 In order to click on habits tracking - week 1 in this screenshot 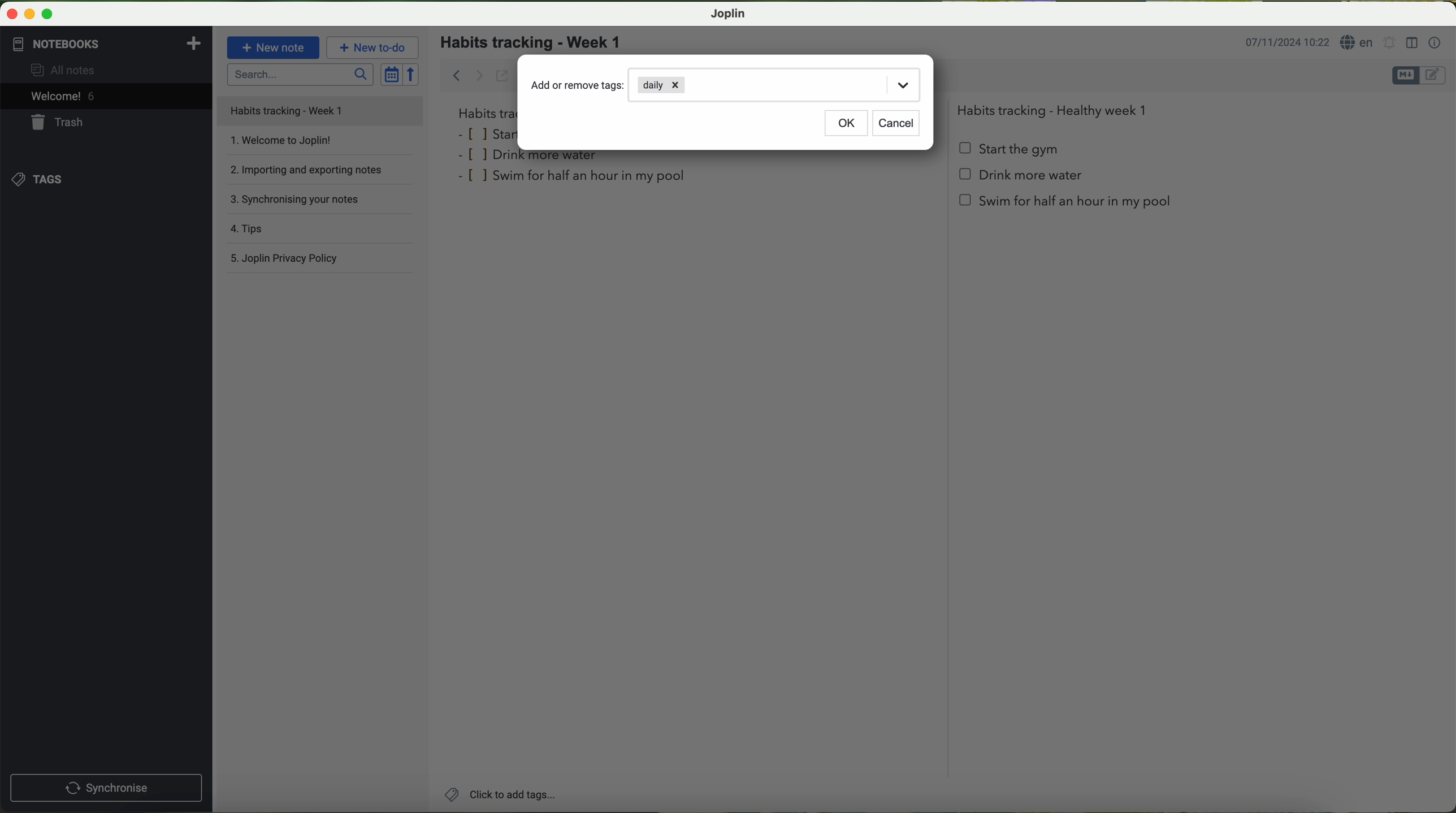, I will do `click(538, 43)`.